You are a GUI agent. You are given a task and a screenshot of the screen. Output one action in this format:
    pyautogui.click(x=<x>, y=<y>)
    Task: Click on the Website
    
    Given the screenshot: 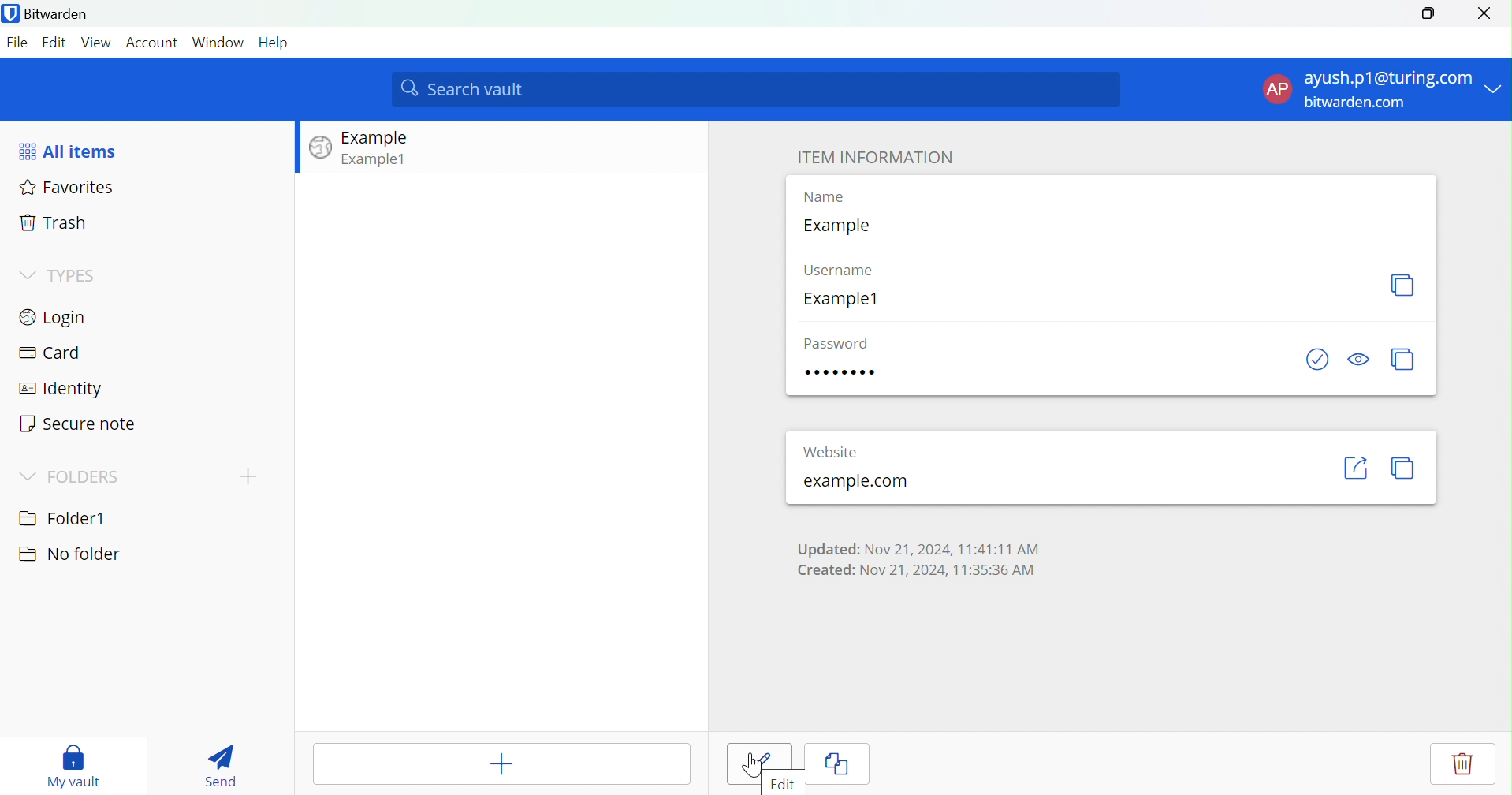 What is the action you would take?
    pyautogui.click(x=831, y=453)
    